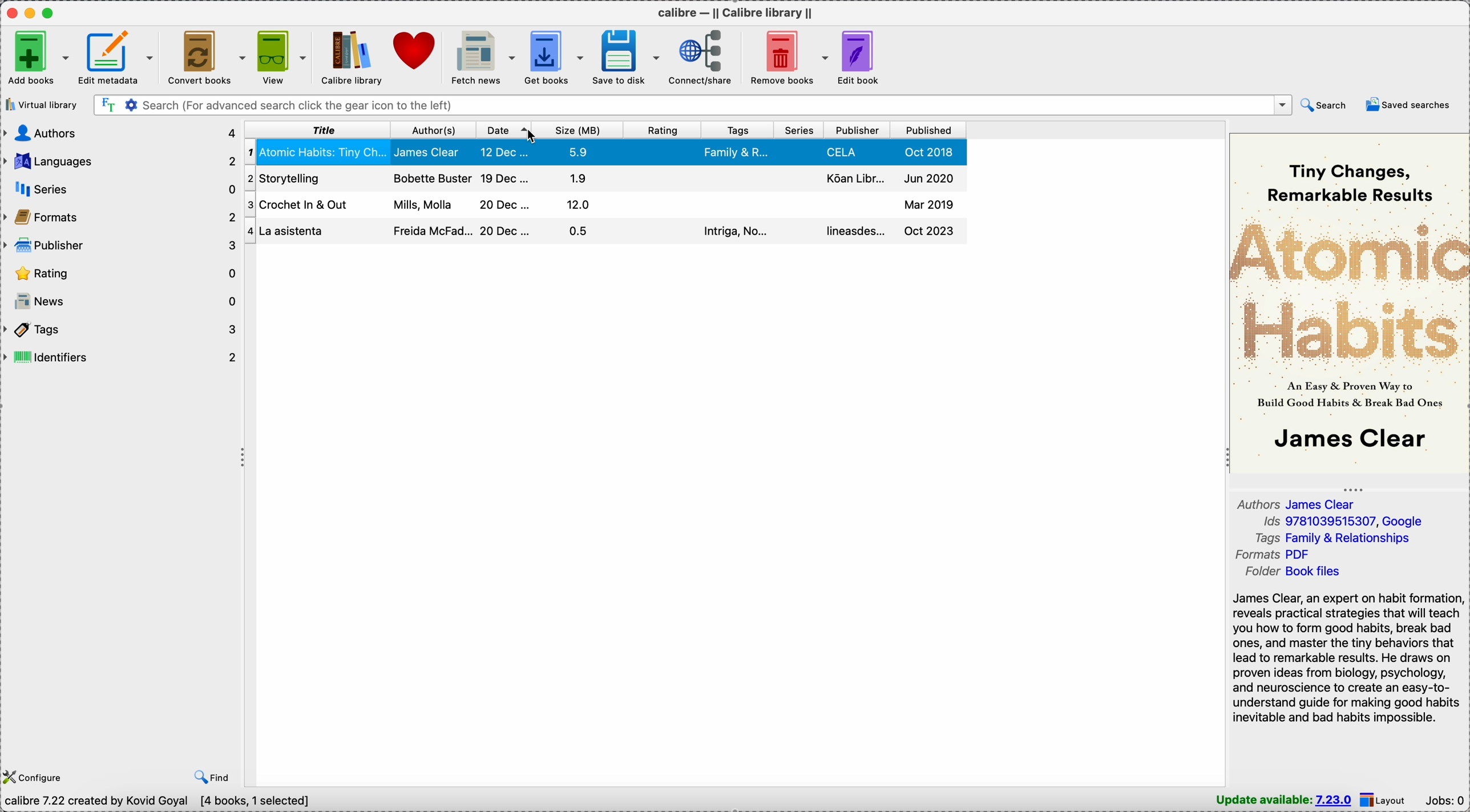 The width and height of the screenshot is (1470, 812). I want to click on close Calibre, so click(11, 12).